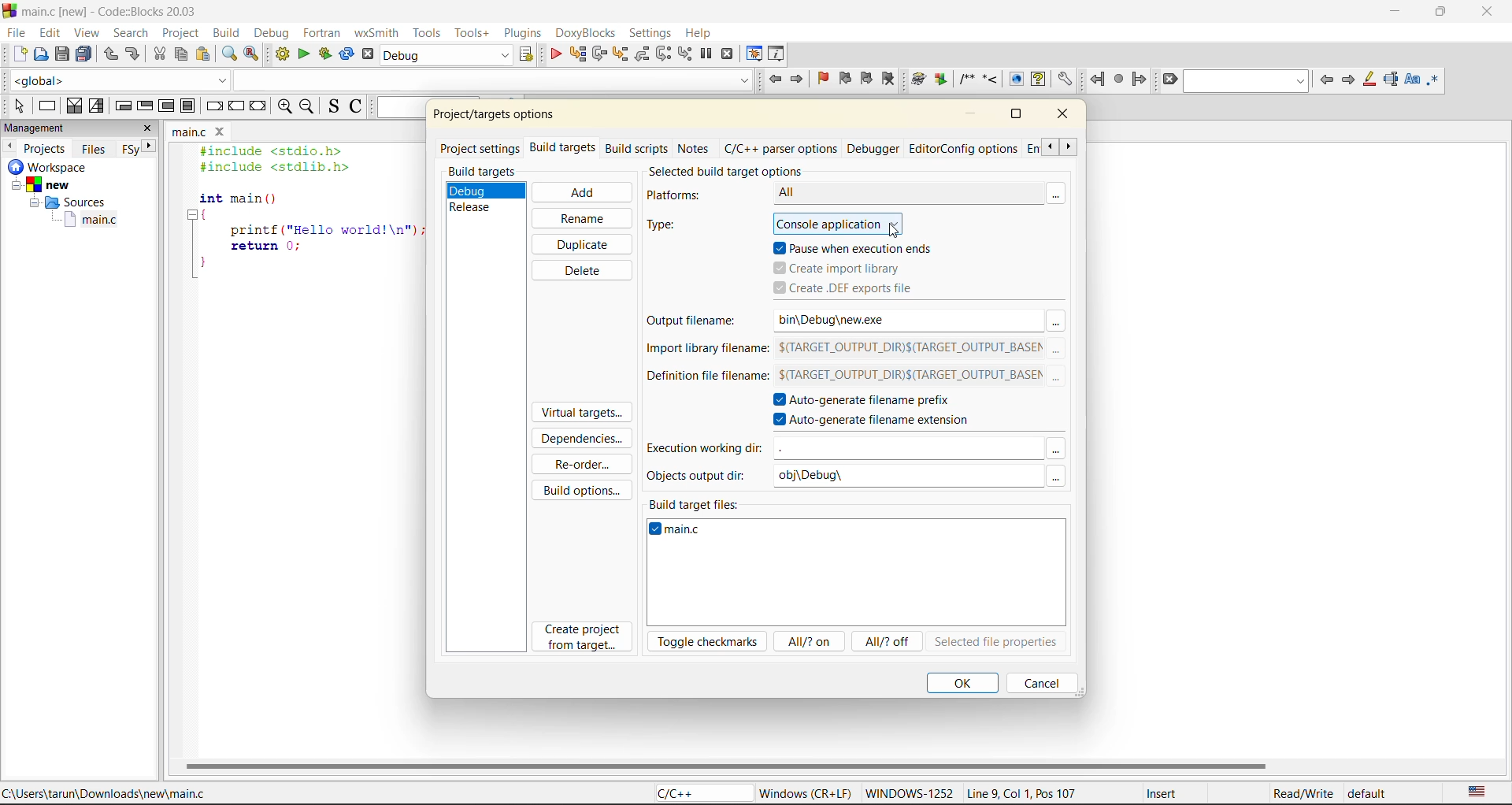 The height and width of the screenshot is (805, 1512). What do you see at coordinates (706, 347) in the screenshot?
I see `import library filename` at bounding box center [706, 347].